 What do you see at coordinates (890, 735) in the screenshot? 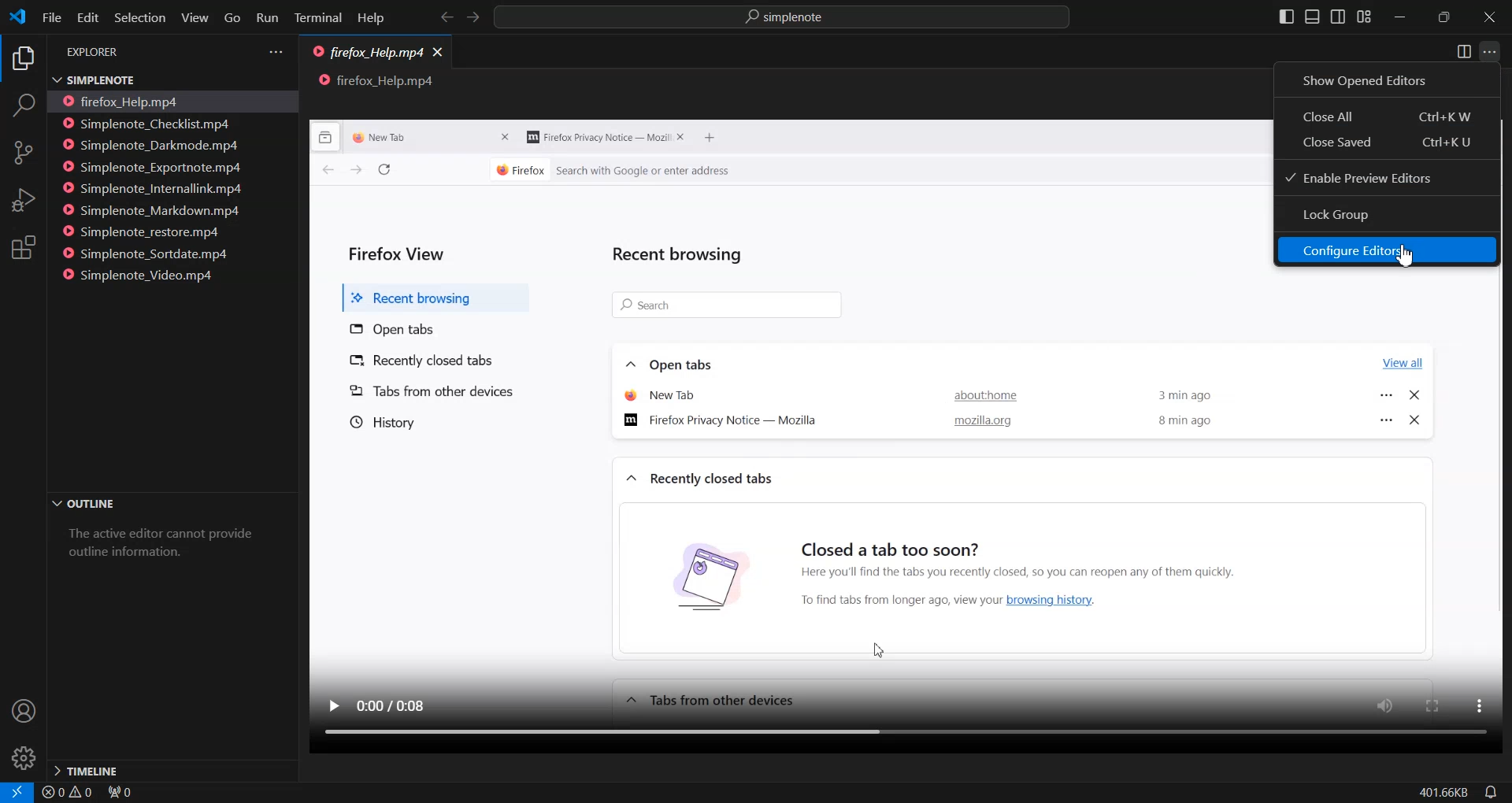
I see `Horizontal scroll bar` at bounding box center [890, 735].